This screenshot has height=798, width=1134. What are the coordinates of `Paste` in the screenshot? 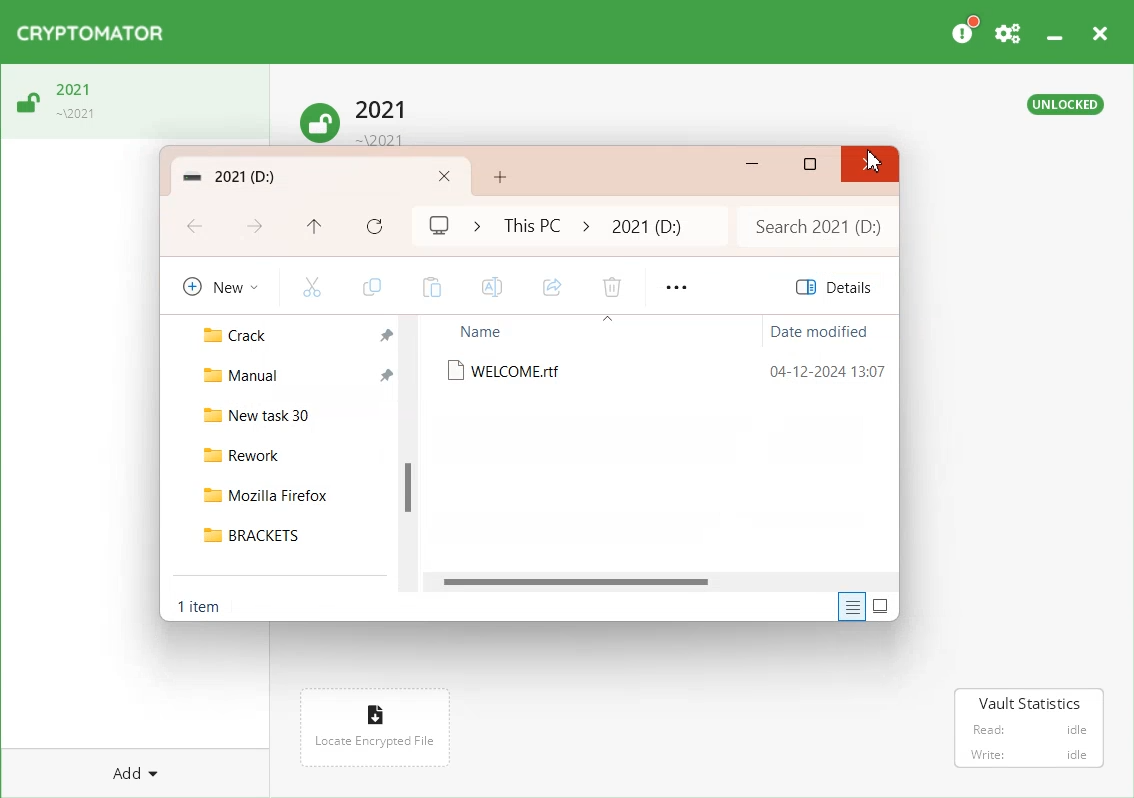 It's located at (432, 286).